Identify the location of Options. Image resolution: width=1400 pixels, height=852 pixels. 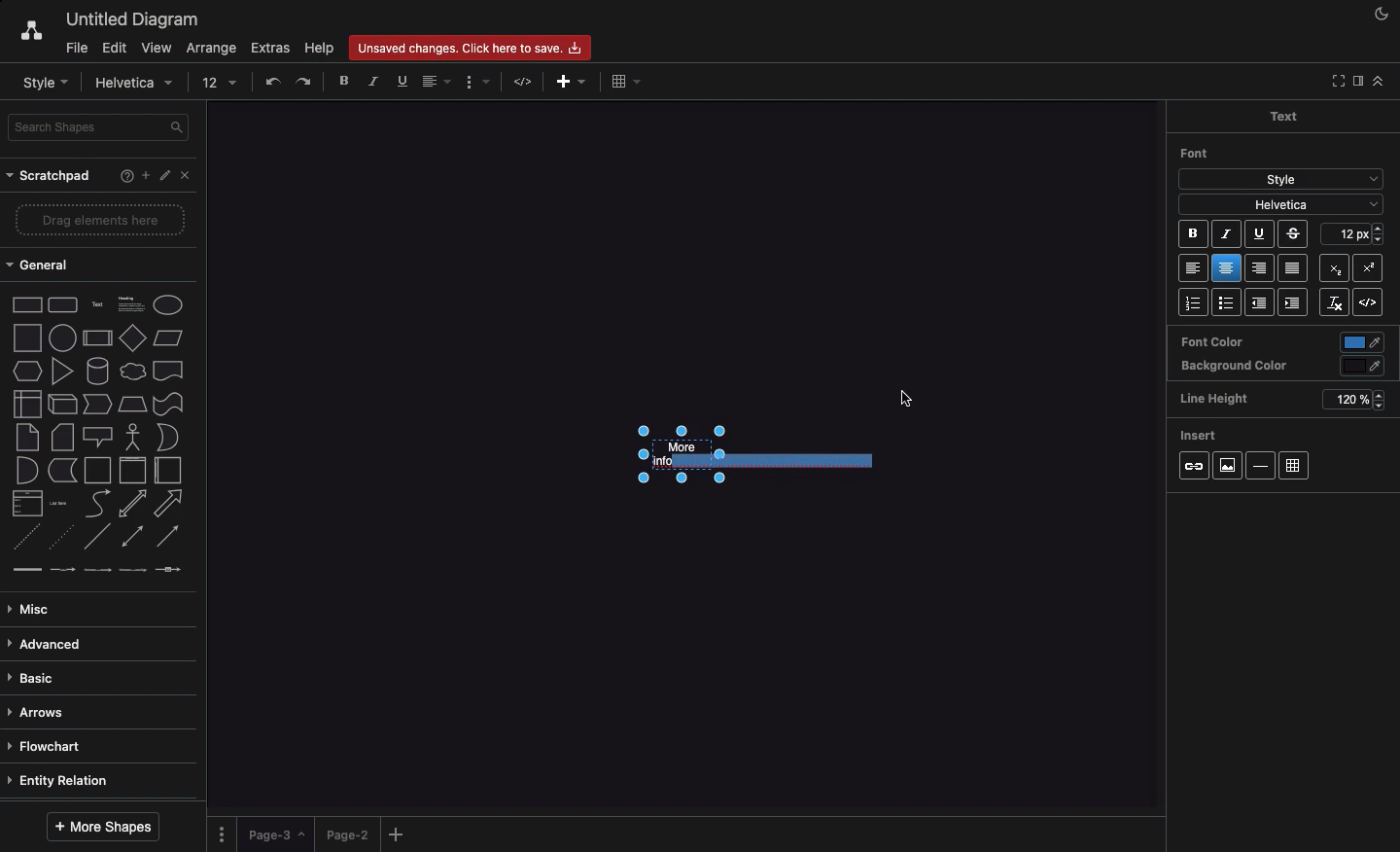
(224, 834).